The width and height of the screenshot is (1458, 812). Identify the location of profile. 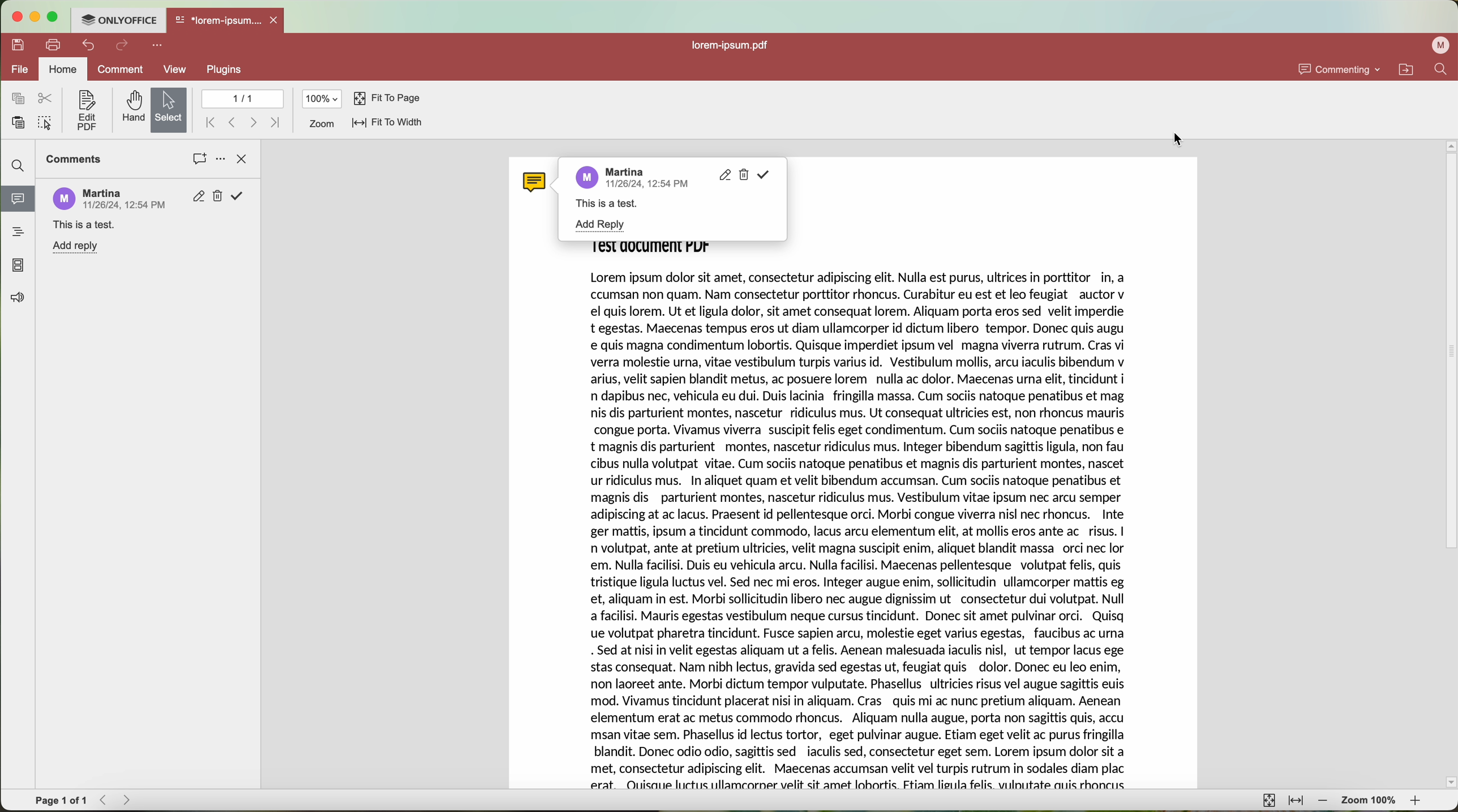
(1439, 46).